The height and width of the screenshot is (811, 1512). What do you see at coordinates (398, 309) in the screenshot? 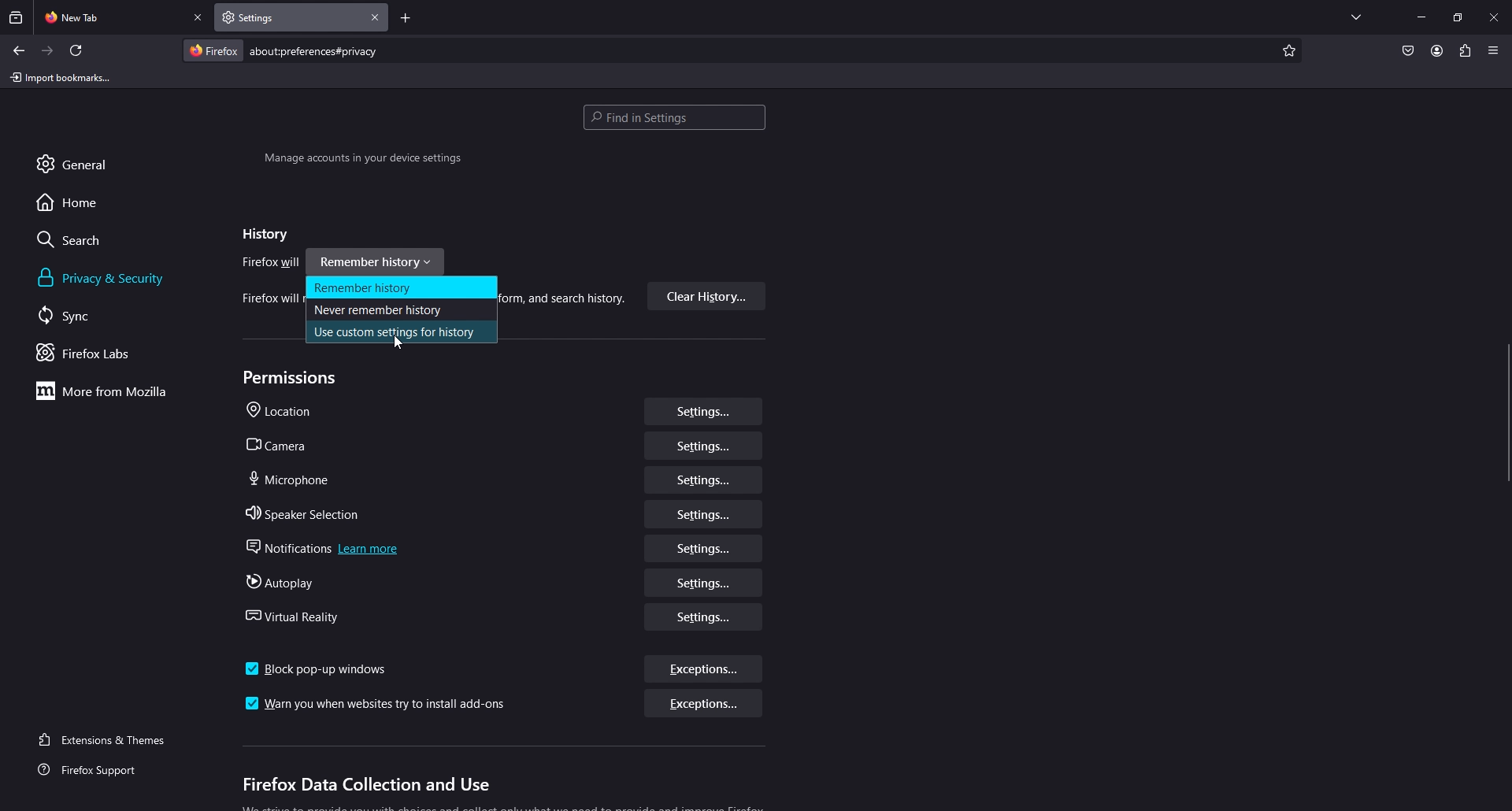
I see `never remember history` at bounding box center [398, 309].